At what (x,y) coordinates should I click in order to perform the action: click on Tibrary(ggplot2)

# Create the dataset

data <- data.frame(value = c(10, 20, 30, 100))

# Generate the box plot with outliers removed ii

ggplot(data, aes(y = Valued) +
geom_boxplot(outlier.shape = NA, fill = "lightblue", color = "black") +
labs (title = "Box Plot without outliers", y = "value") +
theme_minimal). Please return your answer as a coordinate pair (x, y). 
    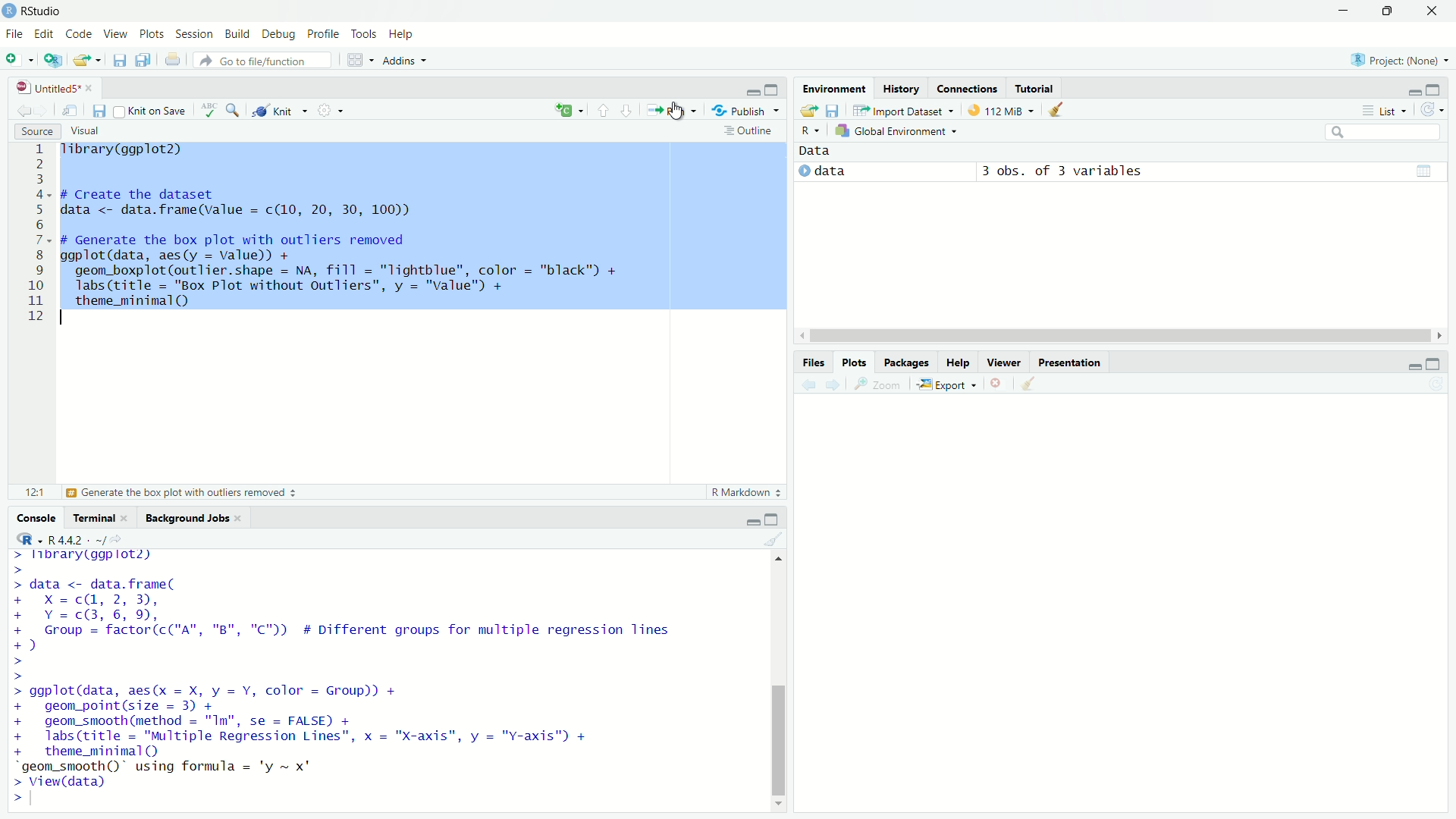
    Looking at the image, I should click on (422, 224).